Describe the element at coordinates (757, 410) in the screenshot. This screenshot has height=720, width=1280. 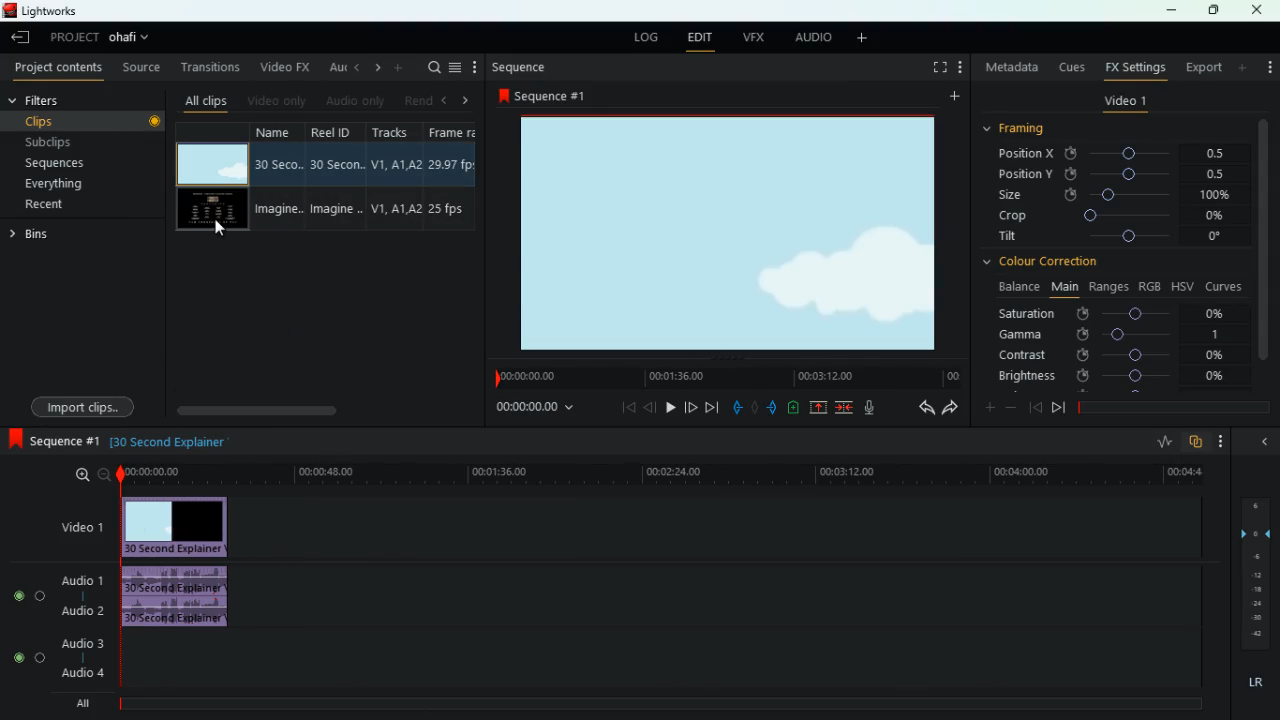
I see `hold` at that location.